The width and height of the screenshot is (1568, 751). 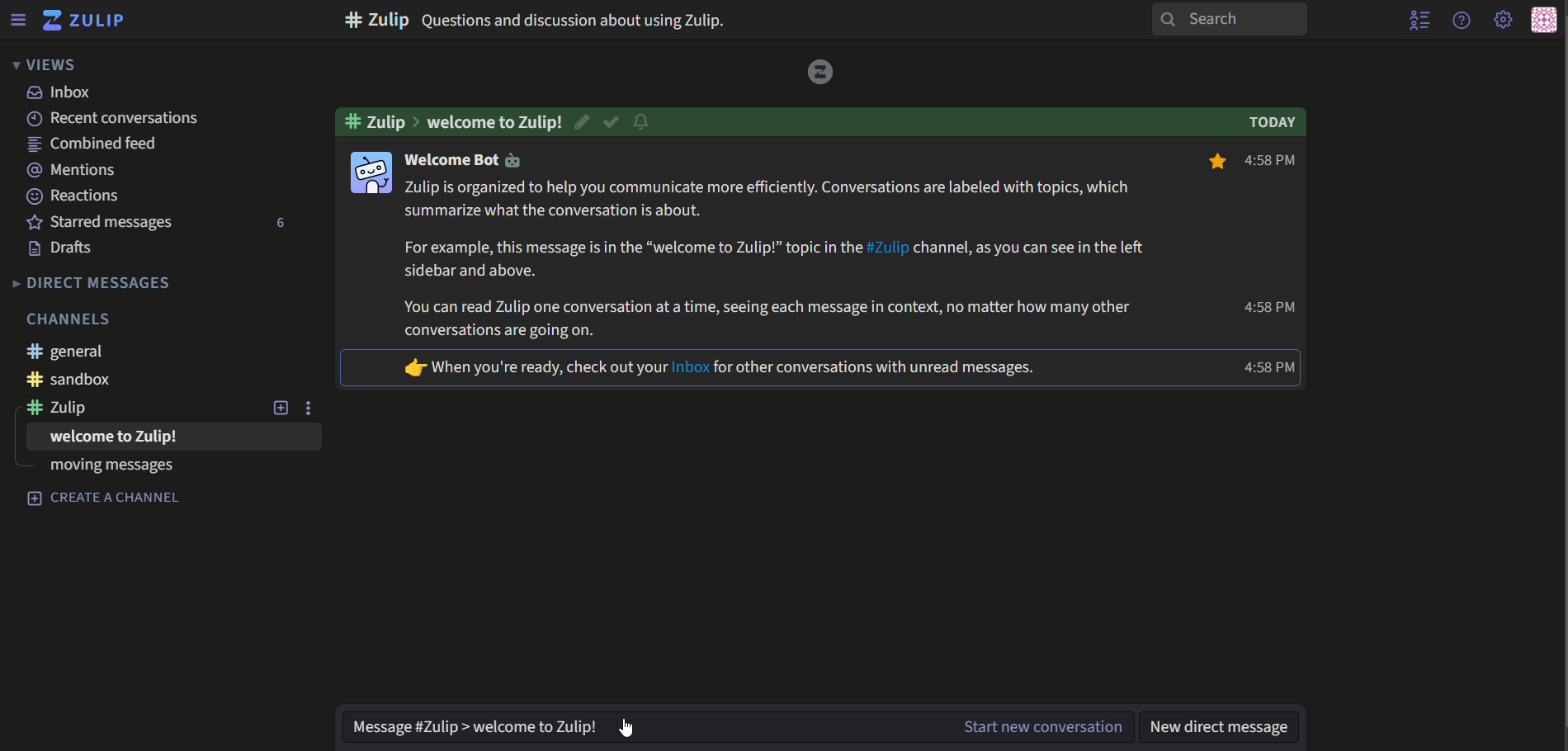 I want to click on new, so click(x=281, y=409).